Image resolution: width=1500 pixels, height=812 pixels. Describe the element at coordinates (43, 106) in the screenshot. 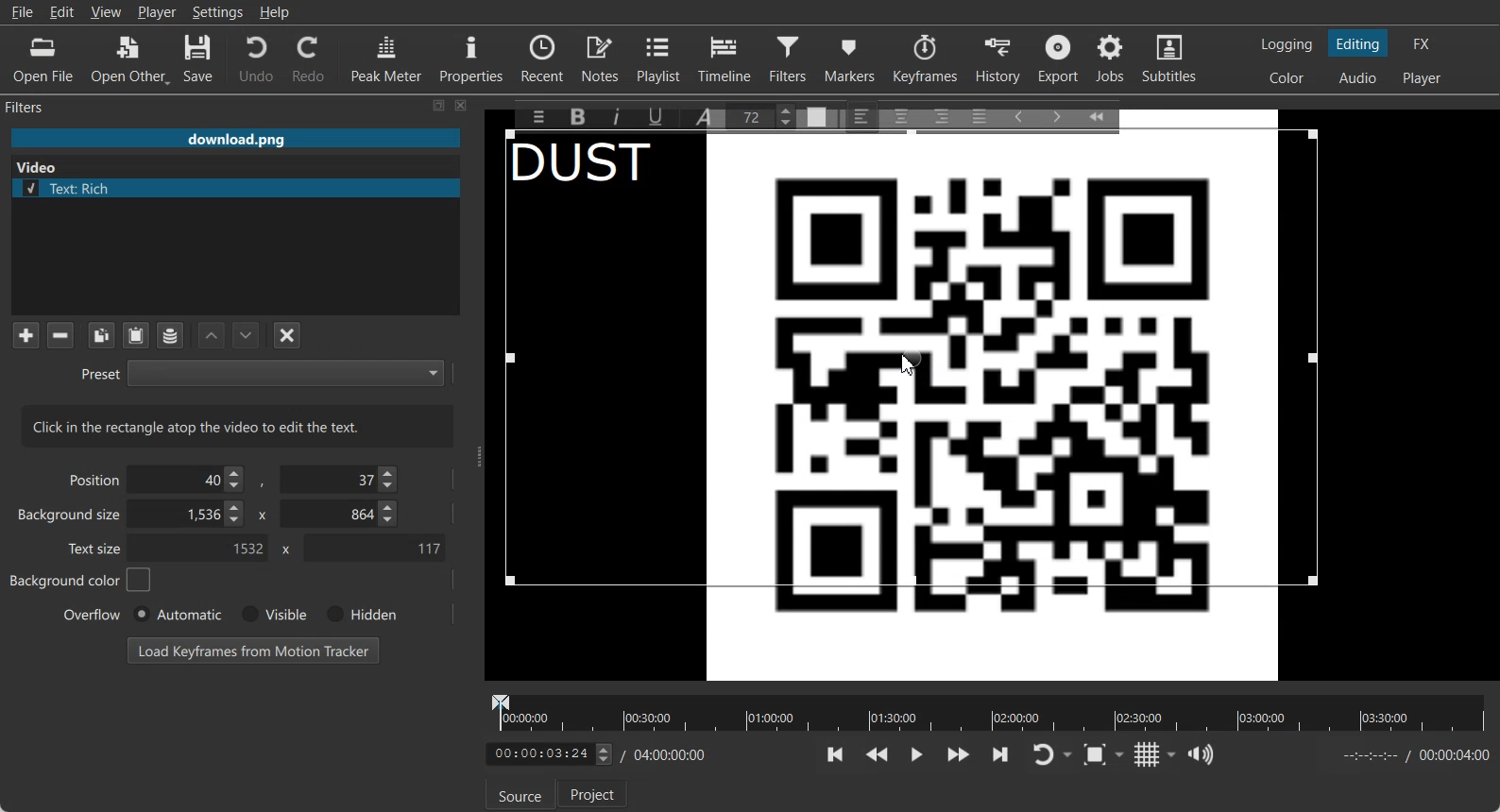

I see `Filters` at that location.